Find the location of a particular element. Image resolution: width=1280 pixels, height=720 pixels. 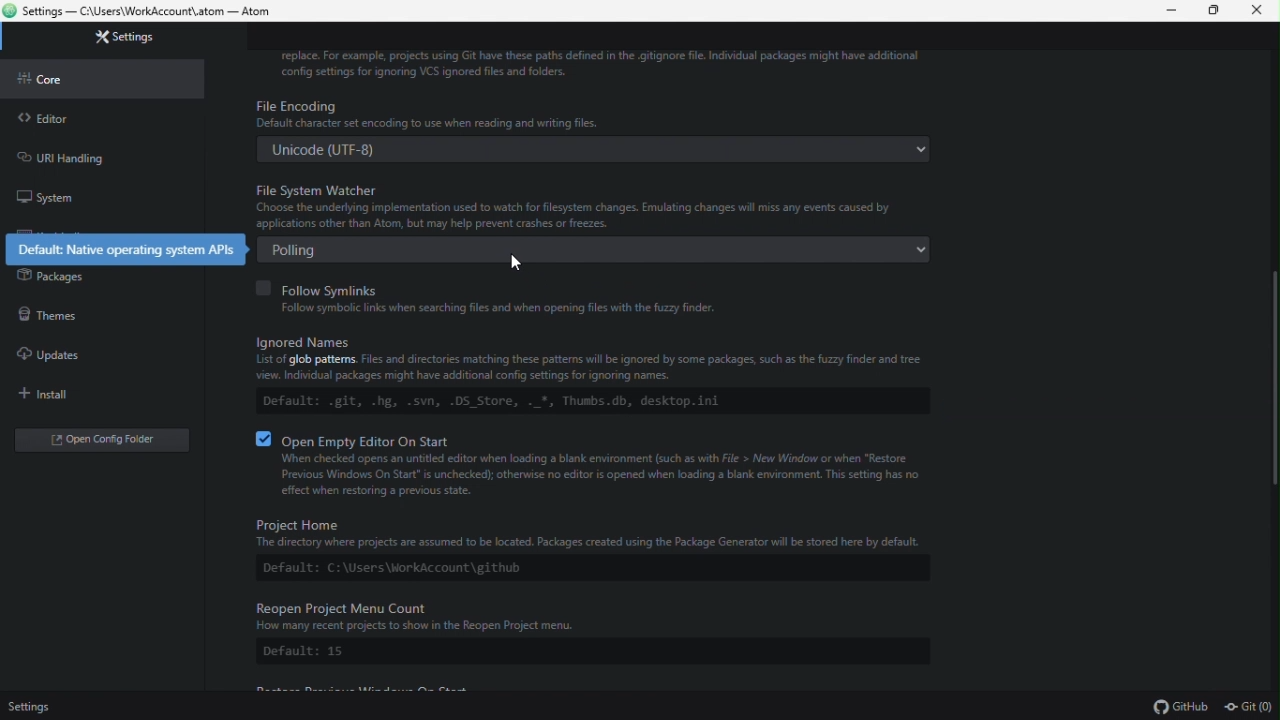

Project Home The directory where projects are assumed to be located. Packages created using the Package Generator will be stored here by default. is located at coordinates (602, 532).